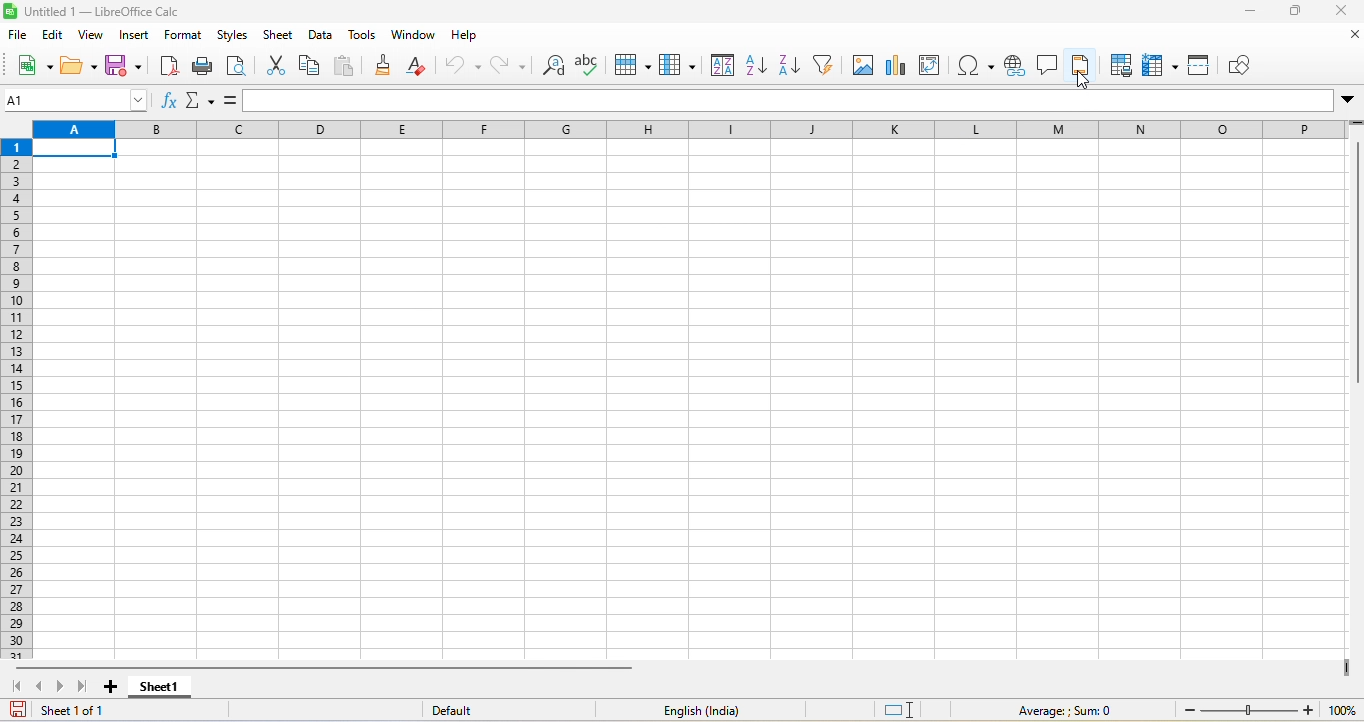  I want to click on styles, so click(233, 38).